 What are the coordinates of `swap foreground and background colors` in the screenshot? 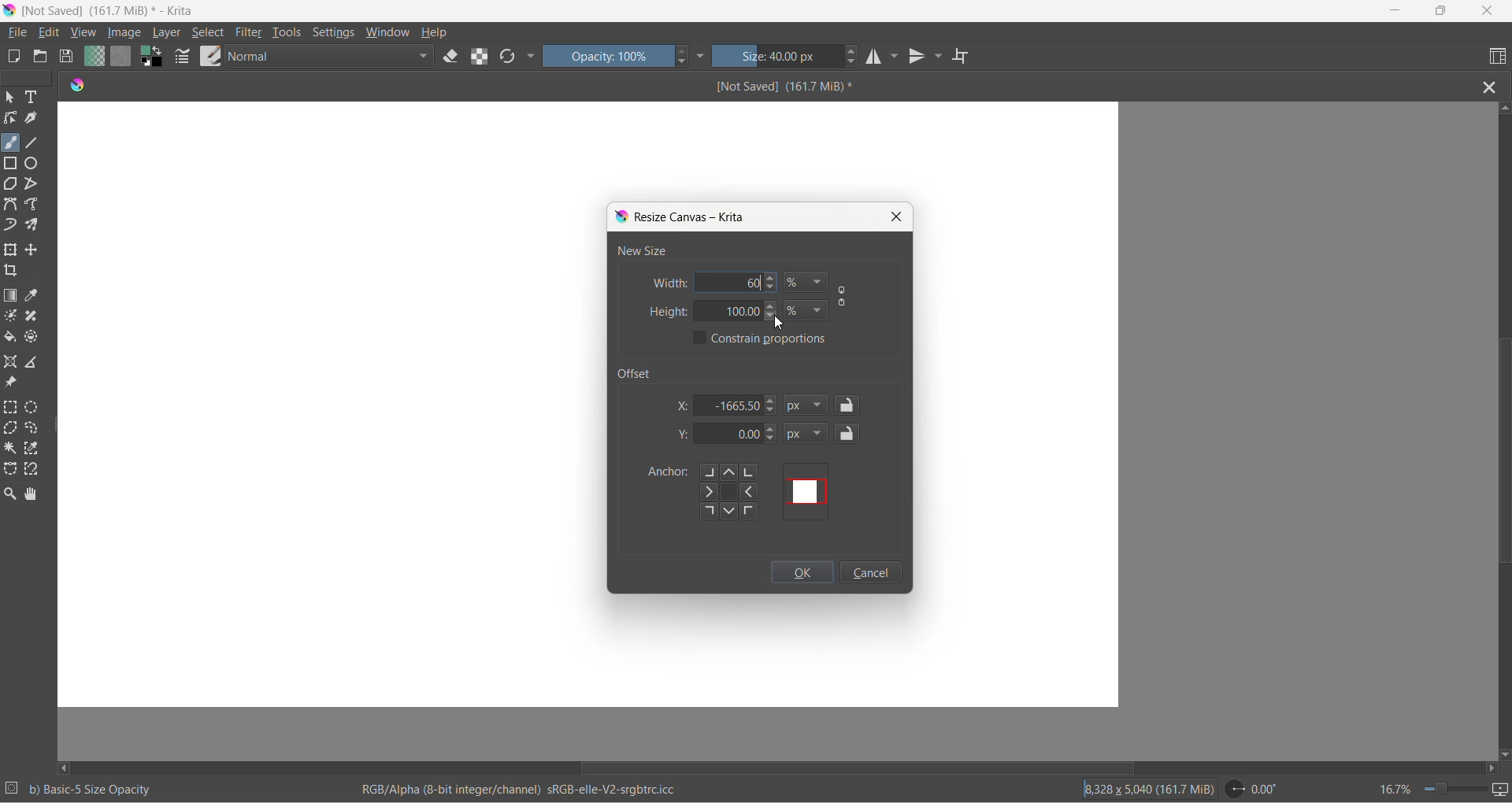 It's located at (155, 60).